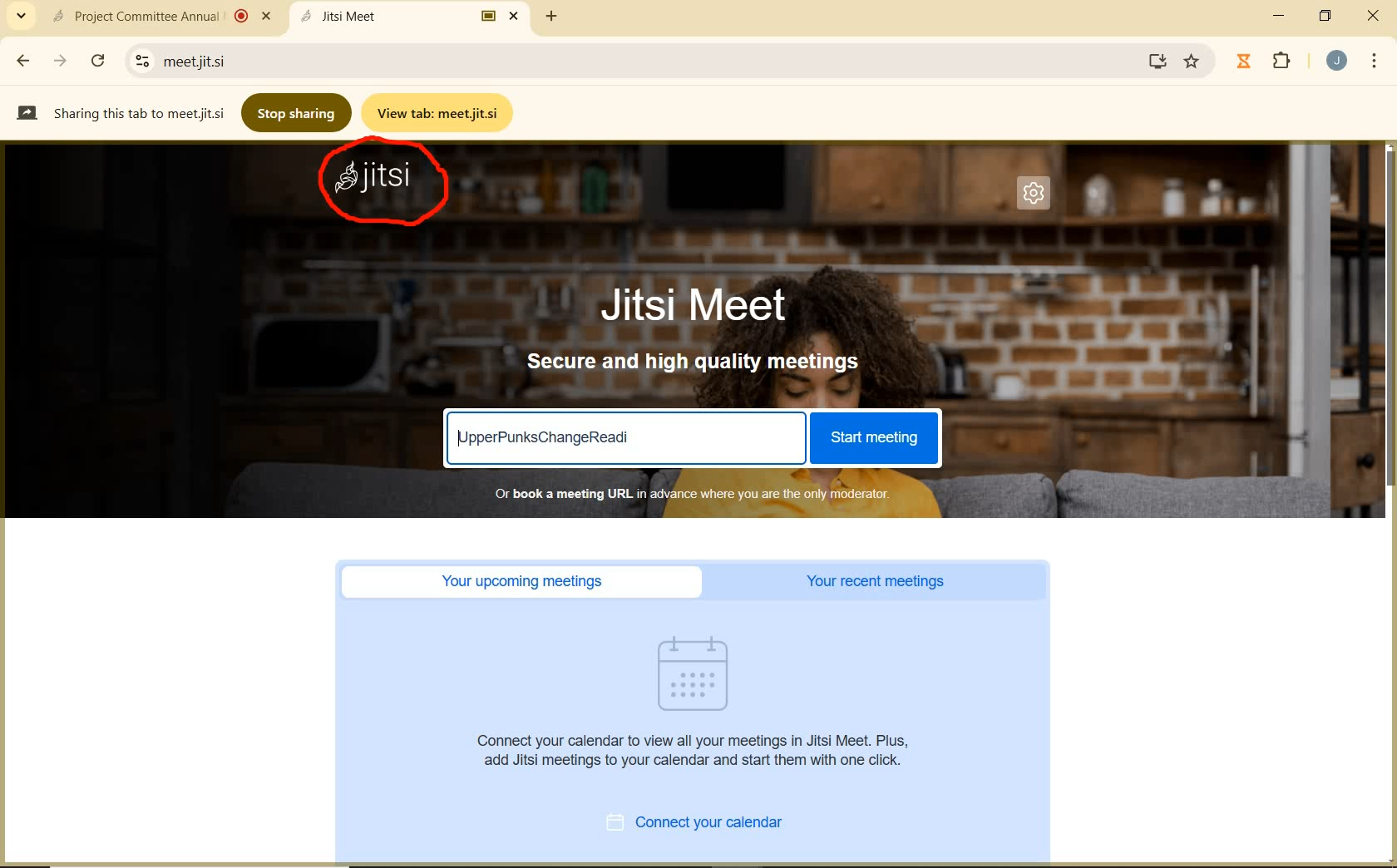 This screenshot has width=1397, height=868. Describe the element at coordinates (1267, 62) in the screenshot. I see `EXTENSION` at that location.